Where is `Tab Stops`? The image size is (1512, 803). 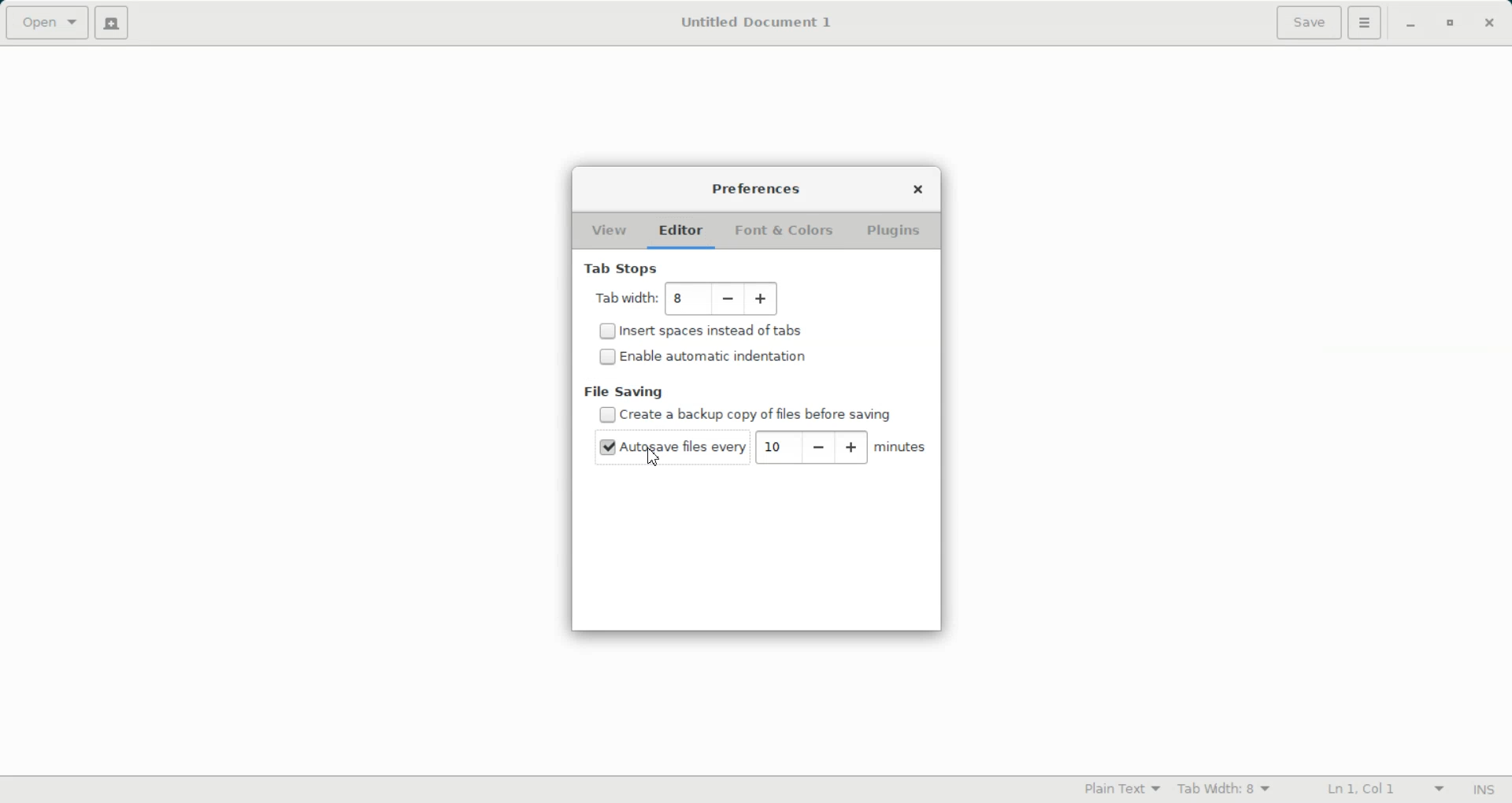 Tab Stops is located at coordinates (621, 268).